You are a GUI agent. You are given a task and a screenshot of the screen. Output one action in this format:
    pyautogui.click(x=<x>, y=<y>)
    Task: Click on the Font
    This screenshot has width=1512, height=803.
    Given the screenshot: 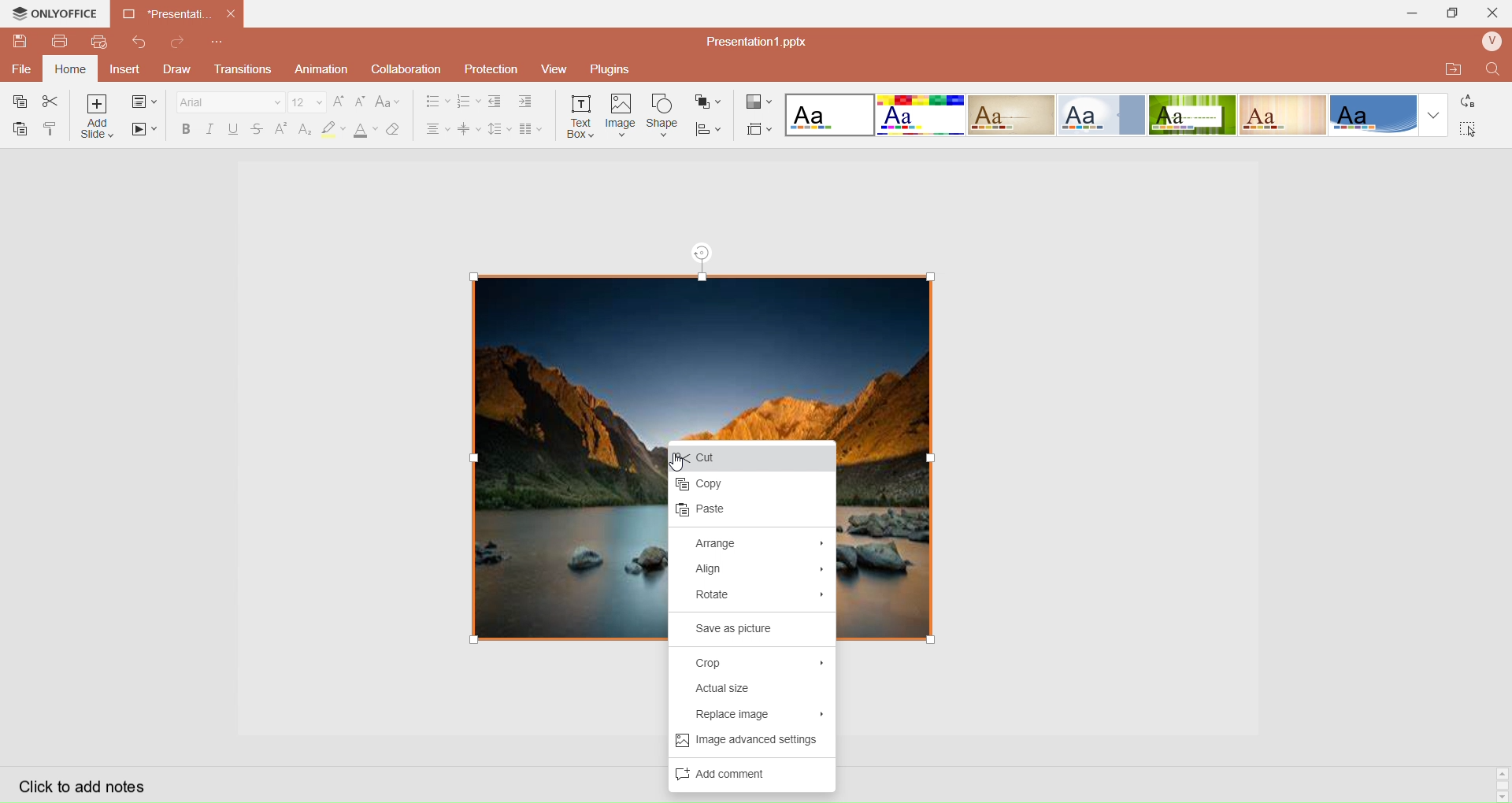 What is the action you would take?
    pyautogui.click(x=231, y=102)
    